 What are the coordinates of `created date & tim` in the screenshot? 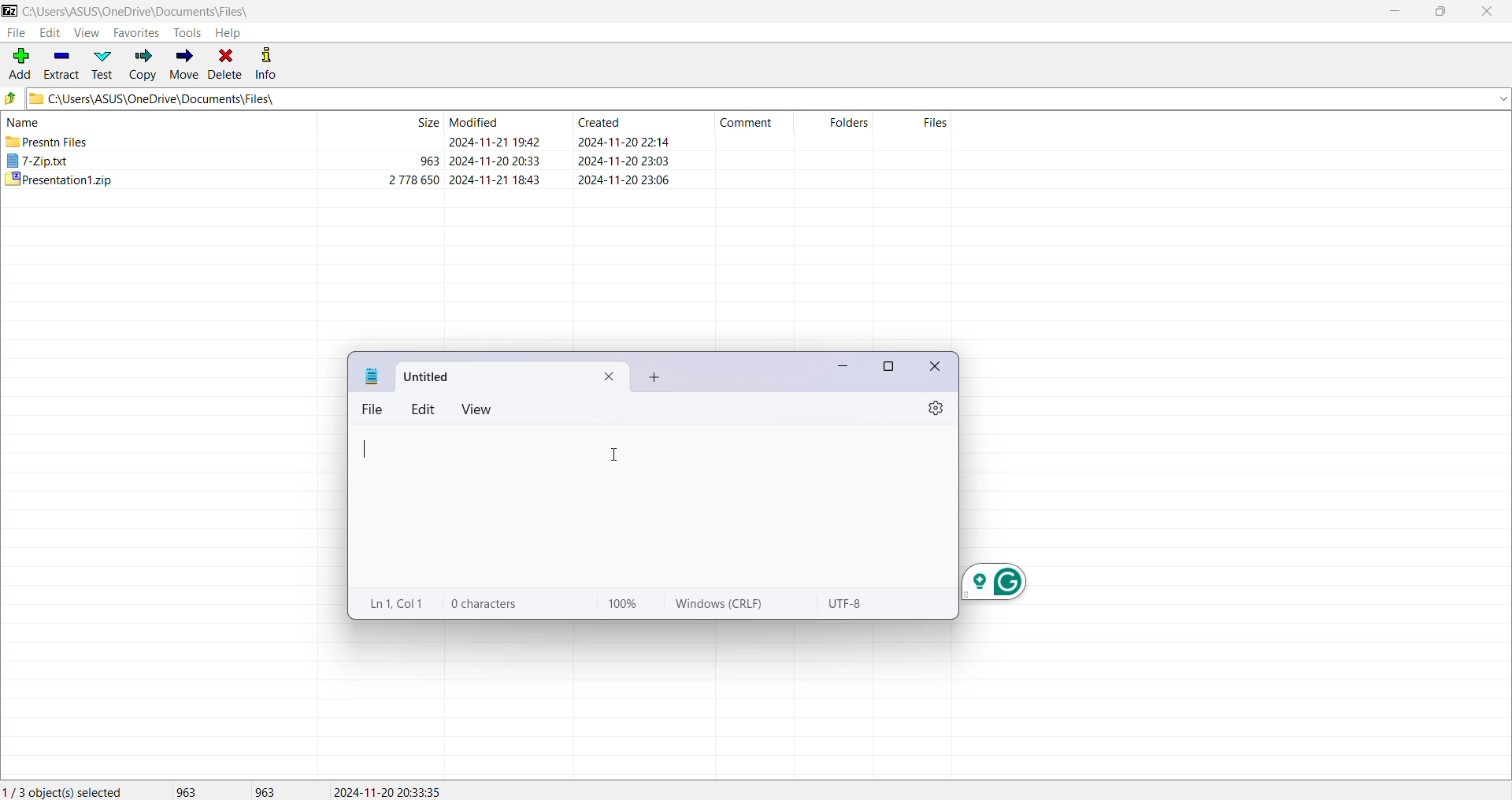 It's located at (625, 160).